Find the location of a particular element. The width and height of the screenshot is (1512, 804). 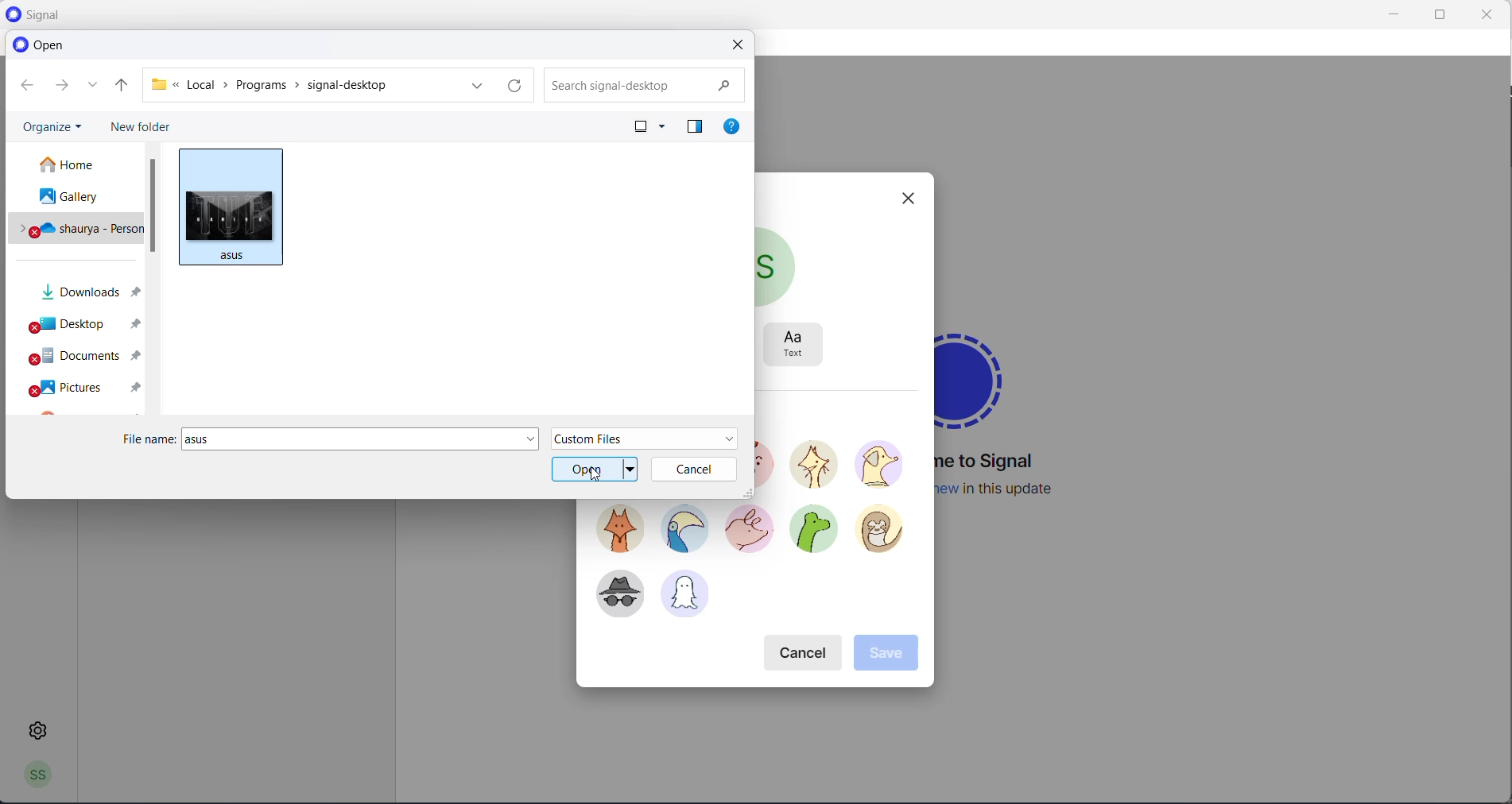

cancel is located at coordinates (805, 650).